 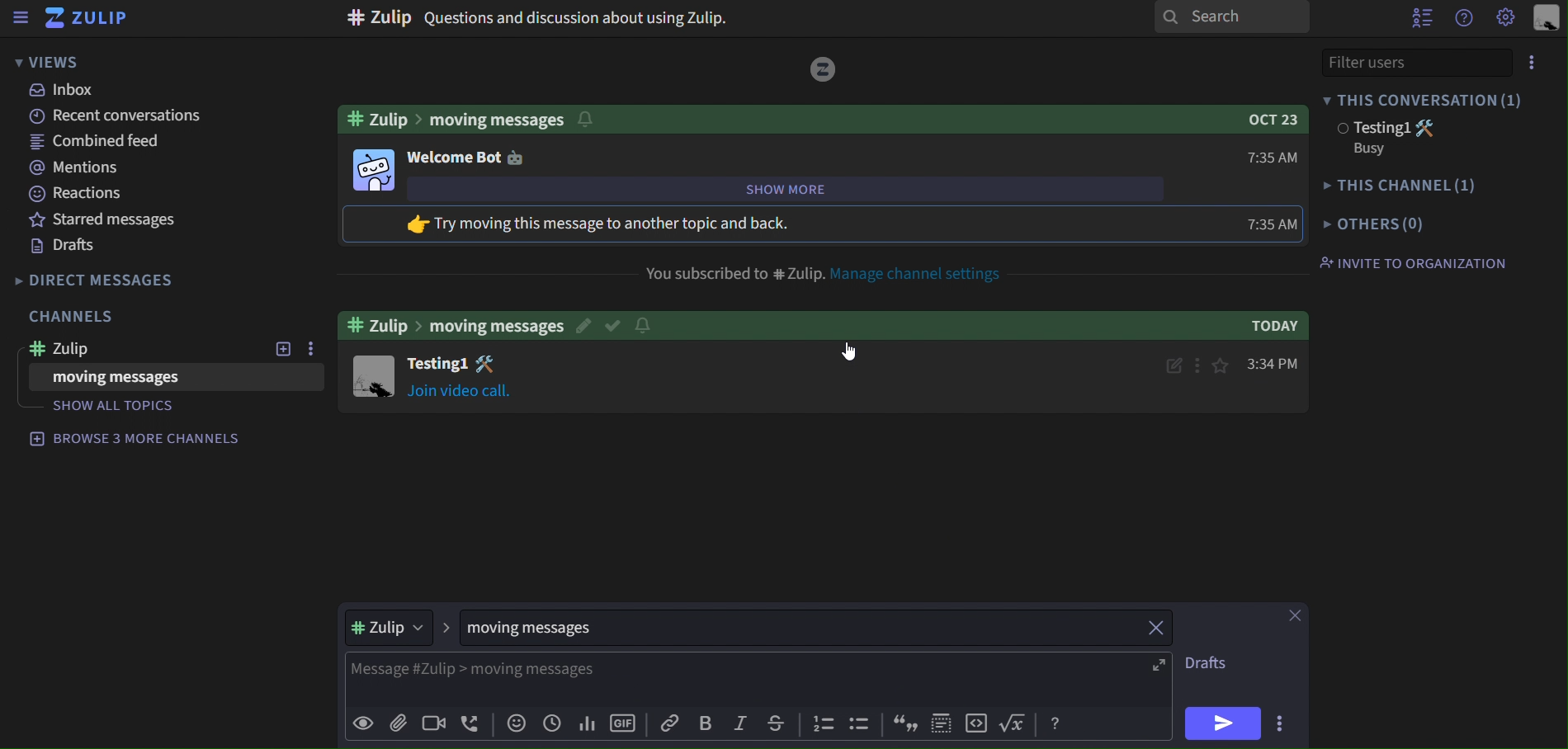 I want to click on direct messages, so click(x=106, y=282).